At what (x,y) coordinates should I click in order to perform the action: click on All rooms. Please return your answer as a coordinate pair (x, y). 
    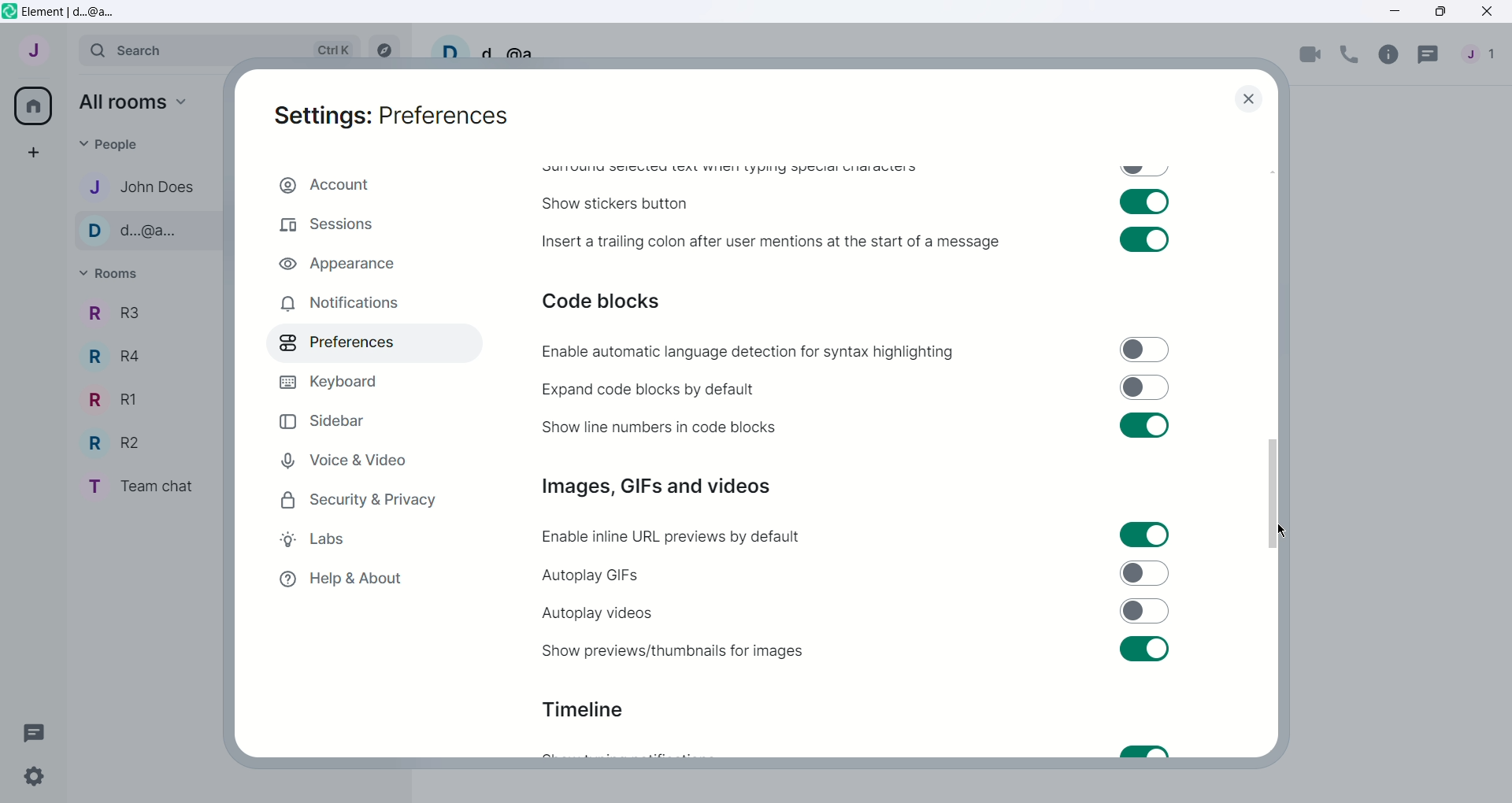
    Looking at the image, I should click on (135, 102).